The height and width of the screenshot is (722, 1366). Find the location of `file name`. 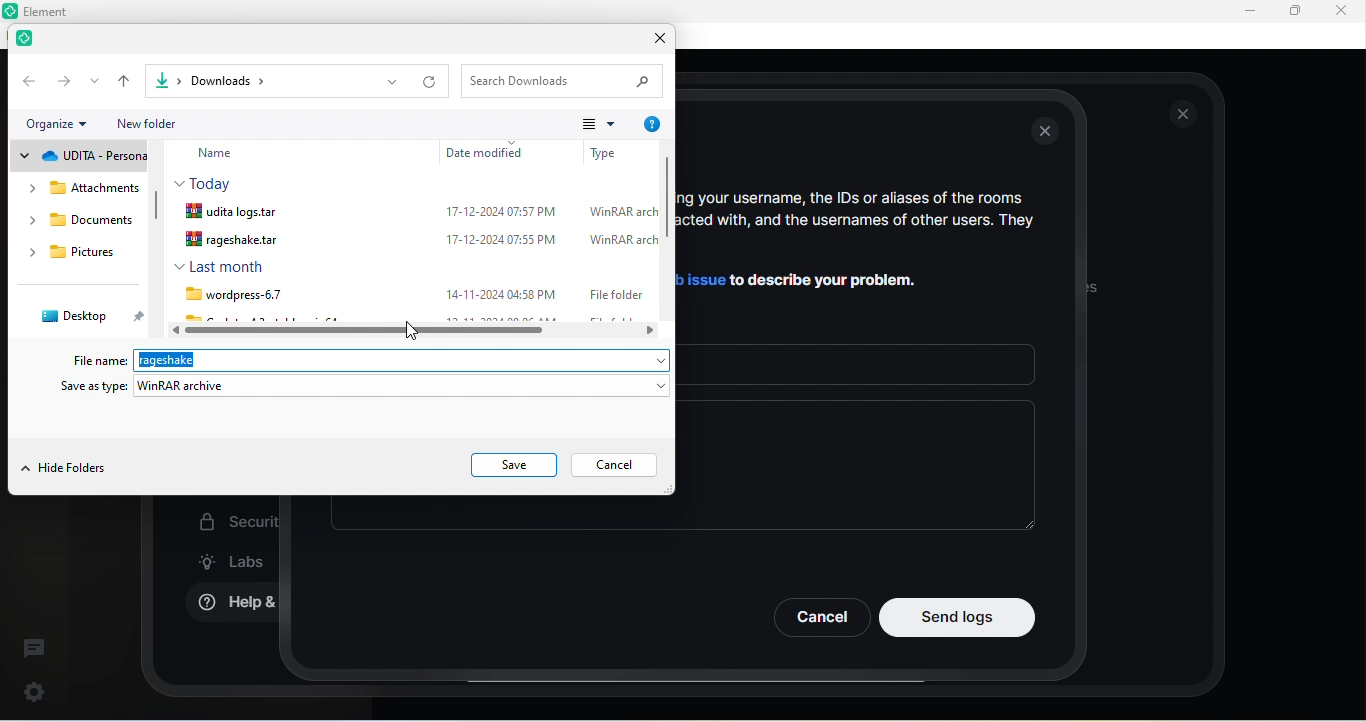

file name is located at coordinates (102, 360).